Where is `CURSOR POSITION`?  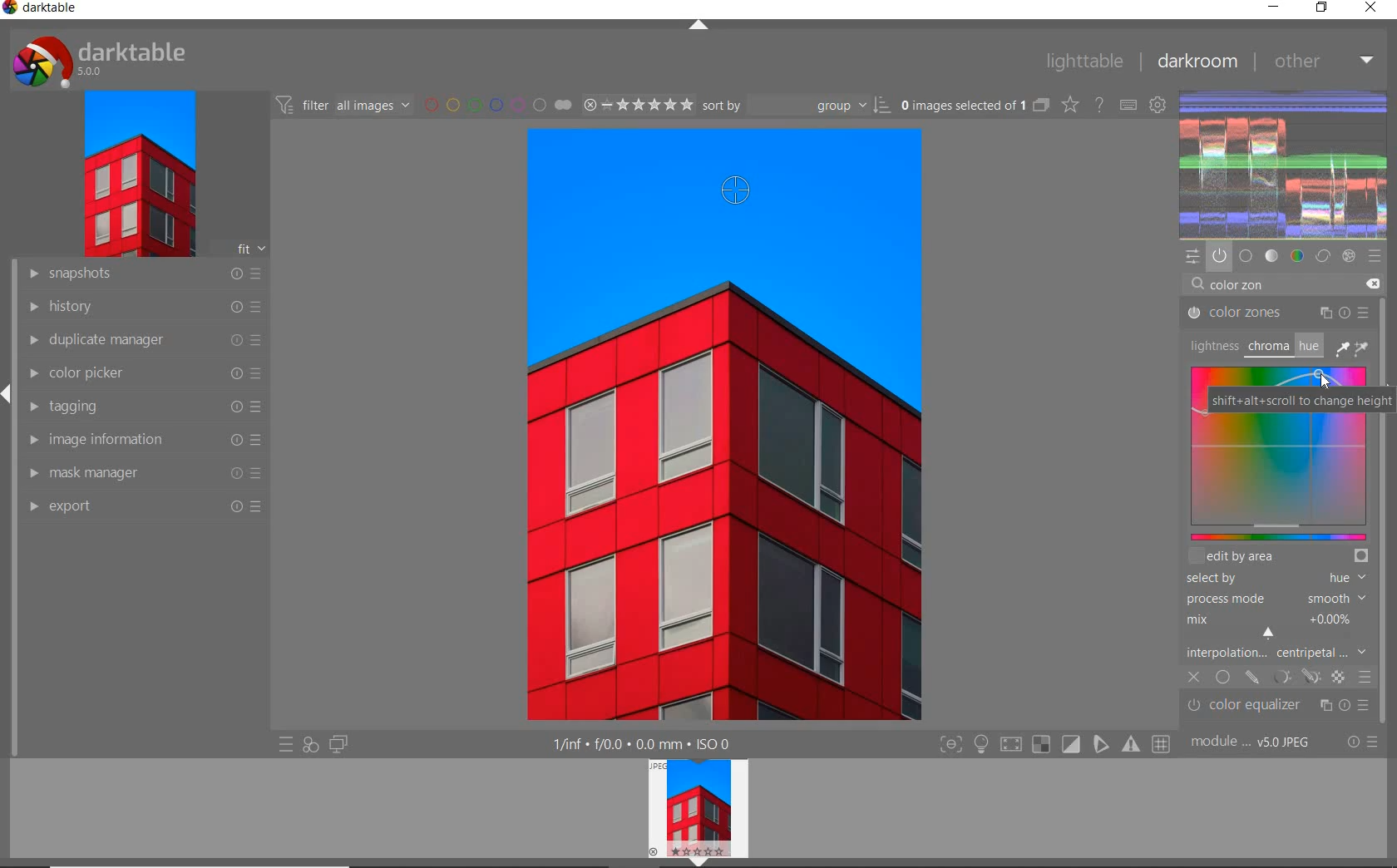 CURSOR POSITION is located at coordinates (1326, 377).